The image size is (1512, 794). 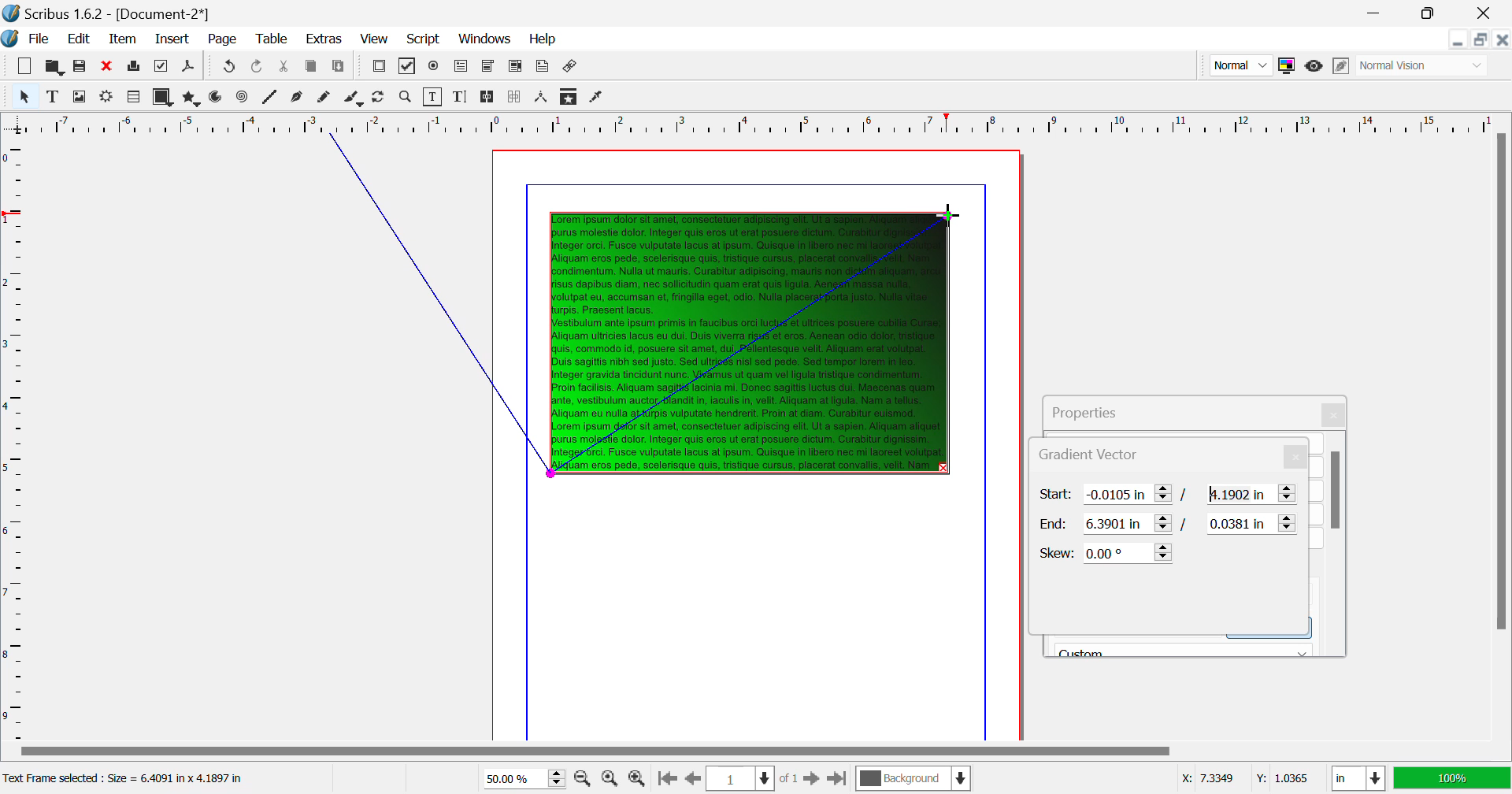 What do you see at coordinates (516, 97) in the screenshot?
I see `Delink Frames` at bounding box center [516, 97].